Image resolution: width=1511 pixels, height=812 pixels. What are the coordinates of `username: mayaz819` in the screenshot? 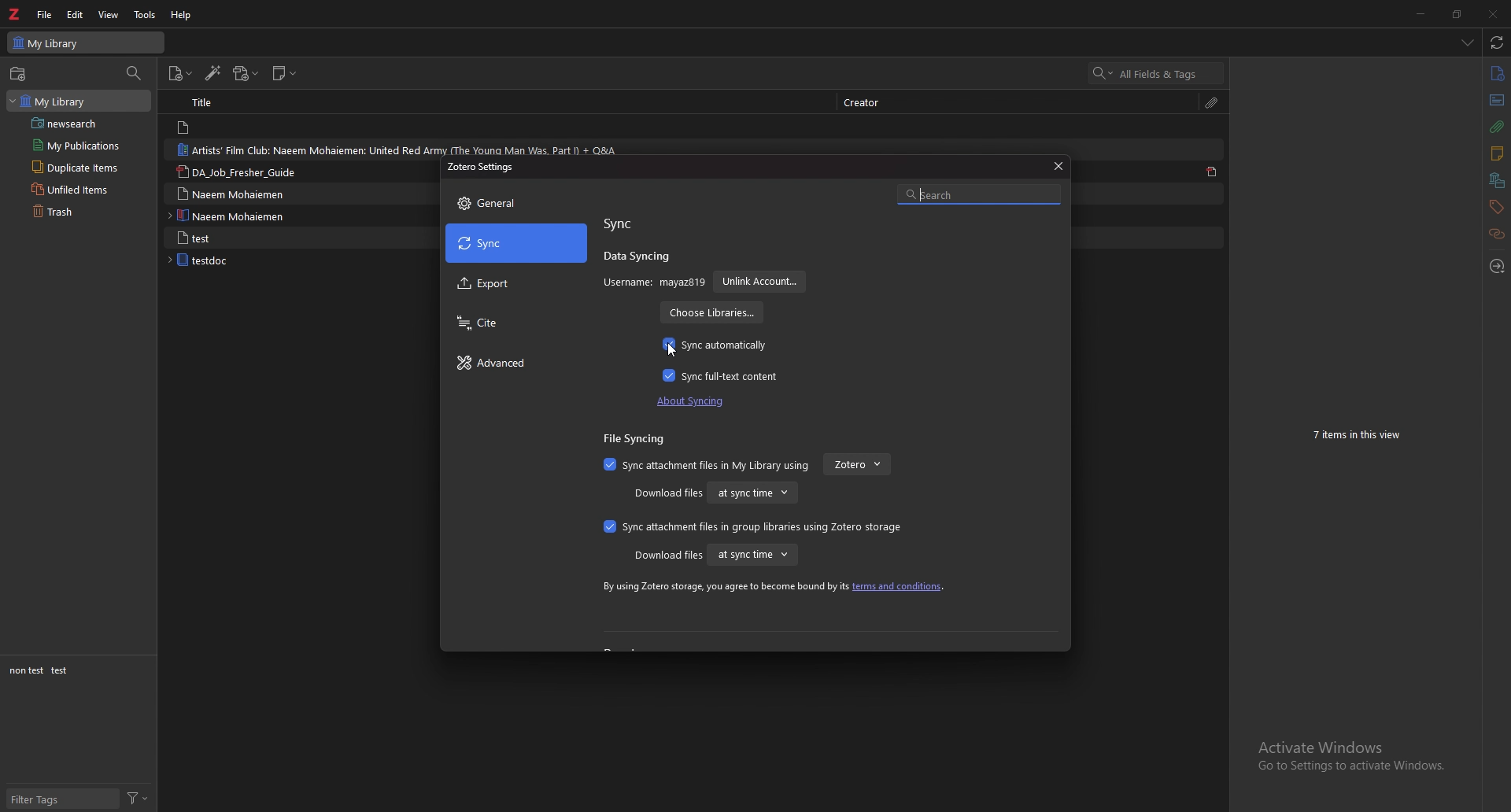 It's located at (654, 282).